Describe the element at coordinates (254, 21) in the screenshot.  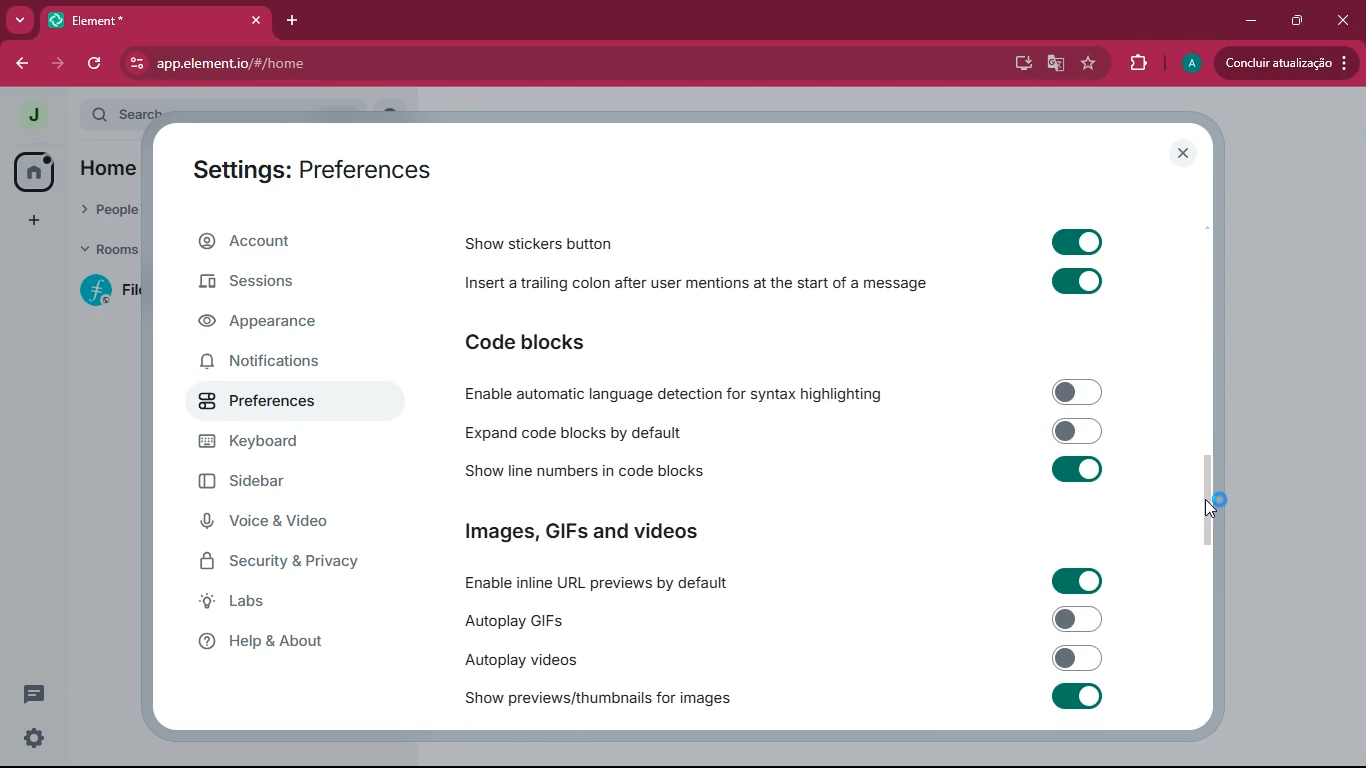
I see `Close` at that location.